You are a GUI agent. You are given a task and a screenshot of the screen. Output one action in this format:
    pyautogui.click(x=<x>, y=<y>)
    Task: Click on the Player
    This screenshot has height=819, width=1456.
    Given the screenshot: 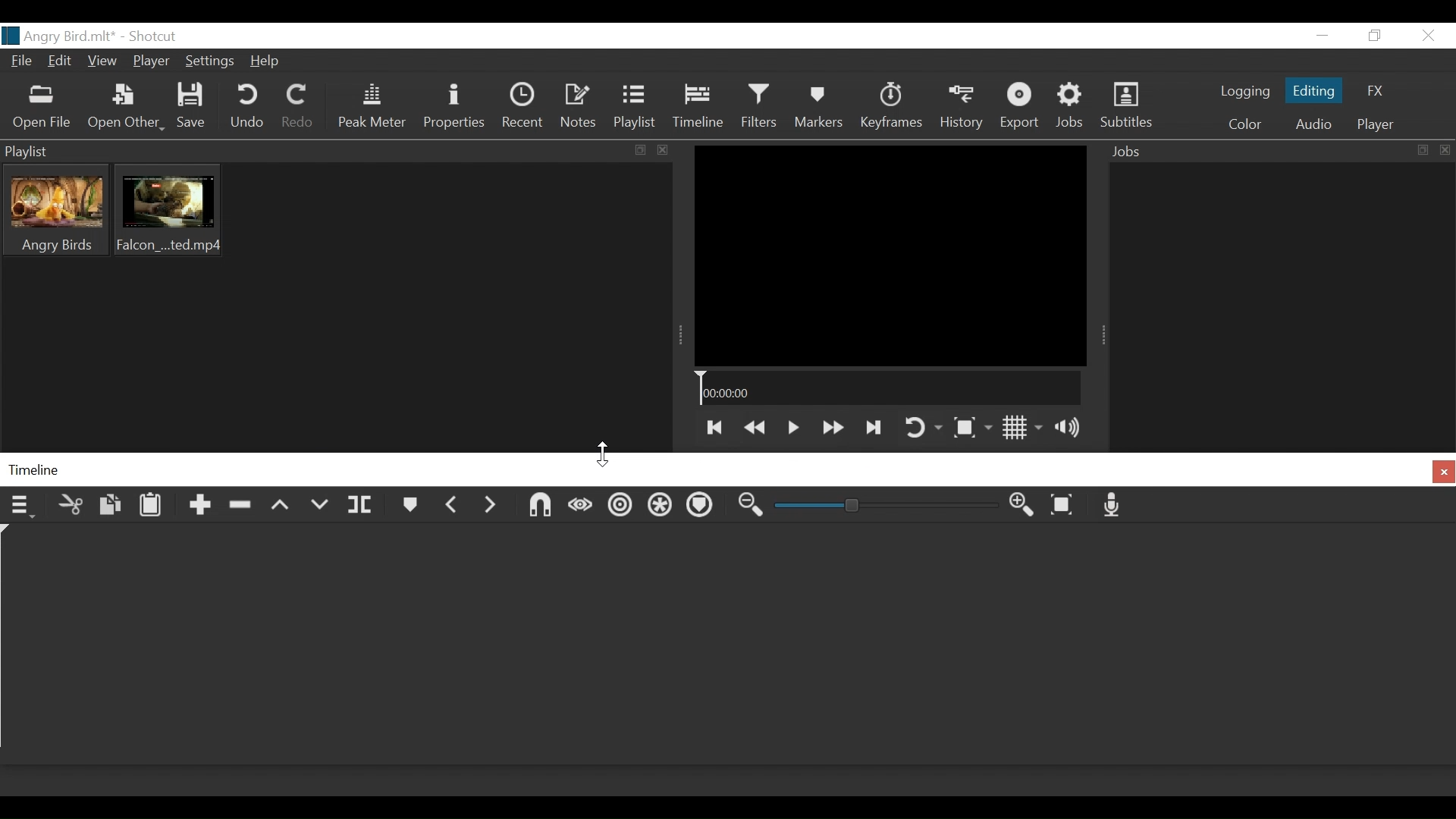 What is the action you would take?
    pyautogui.click(x=1373, y=125)
    